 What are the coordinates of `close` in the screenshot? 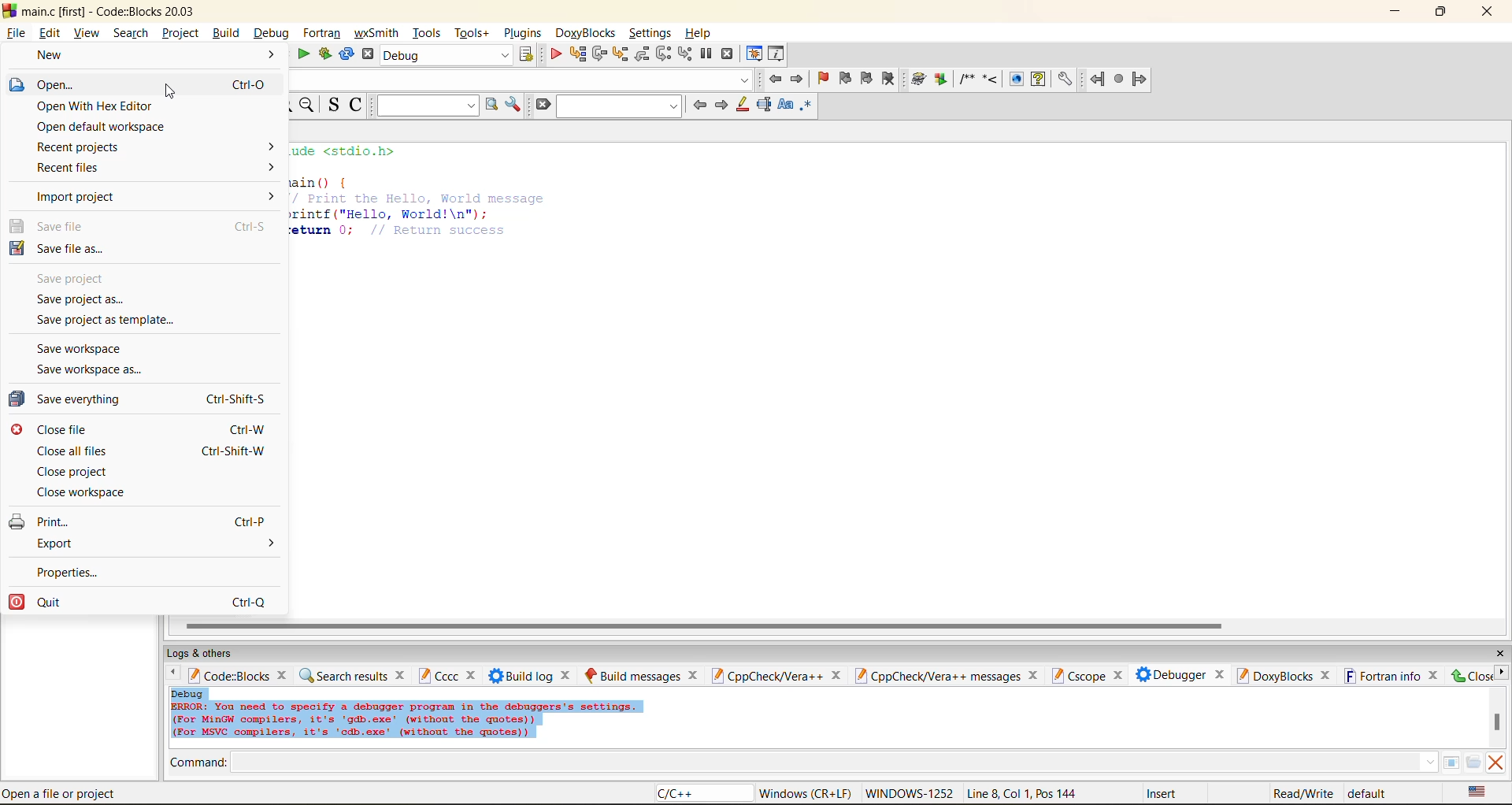 It's located at (1435, 675).